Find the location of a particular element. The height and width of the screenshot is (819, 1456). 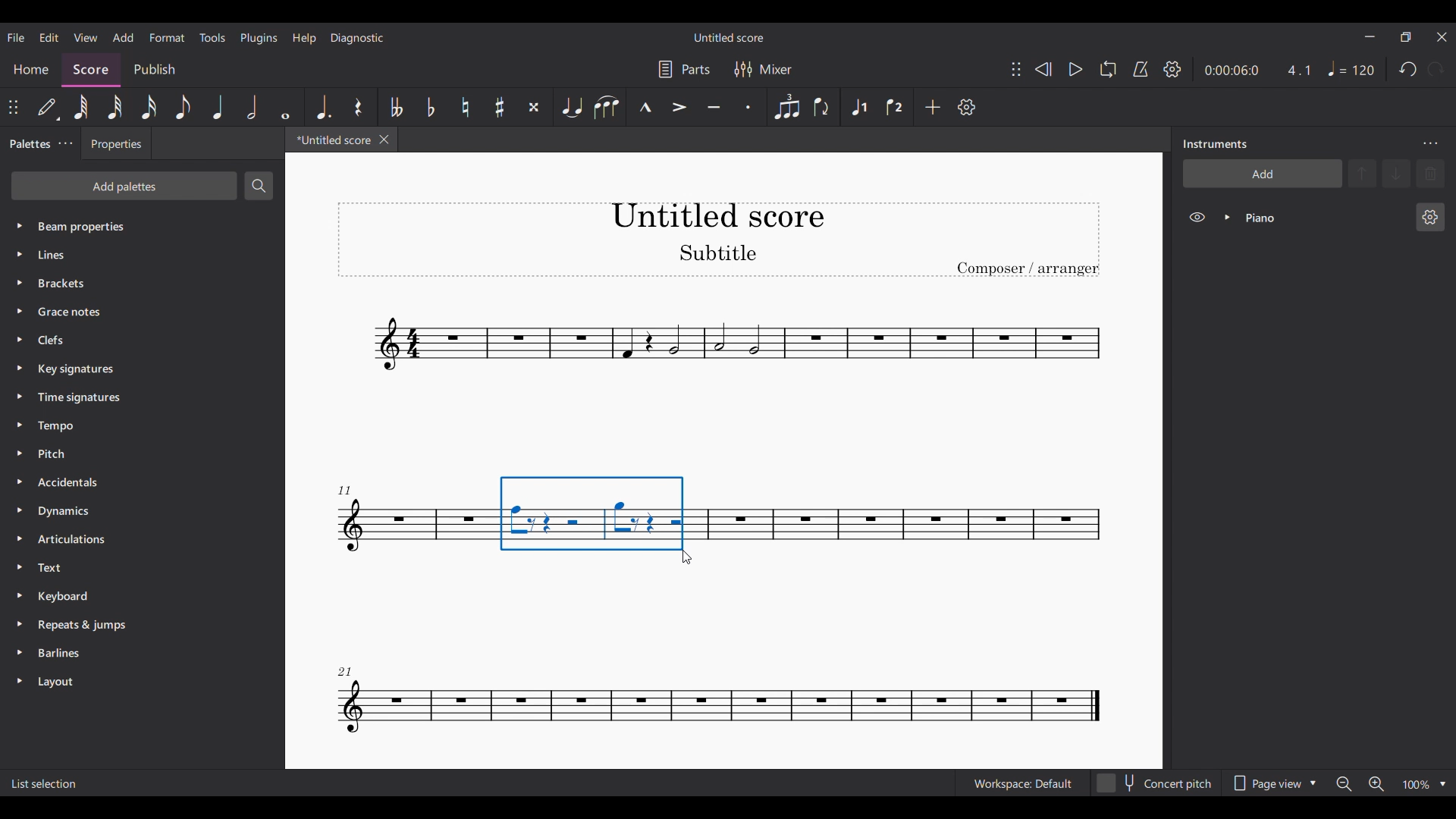

Toggle sharp is located at coordinates (500, 107).